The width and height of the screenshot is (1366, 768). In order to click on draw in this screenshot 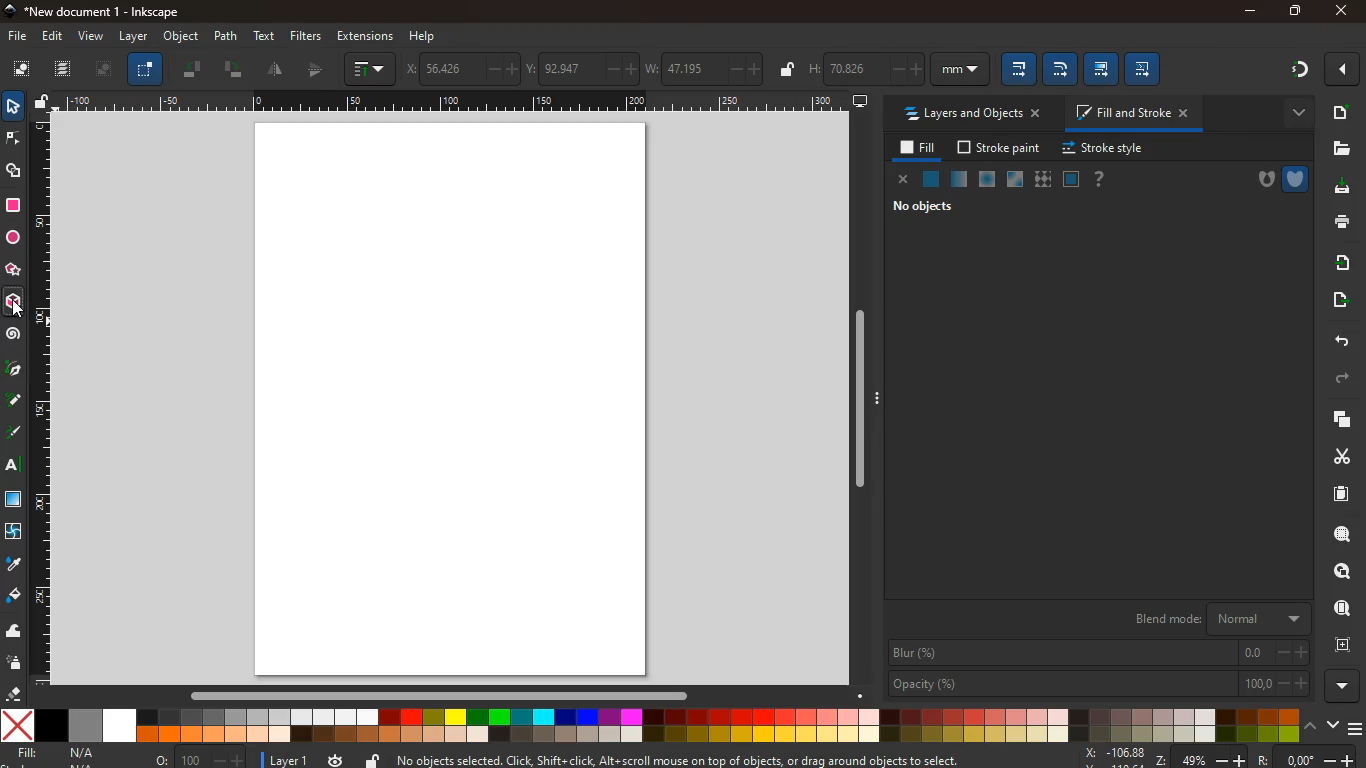, I will do `click(14, 436)`.